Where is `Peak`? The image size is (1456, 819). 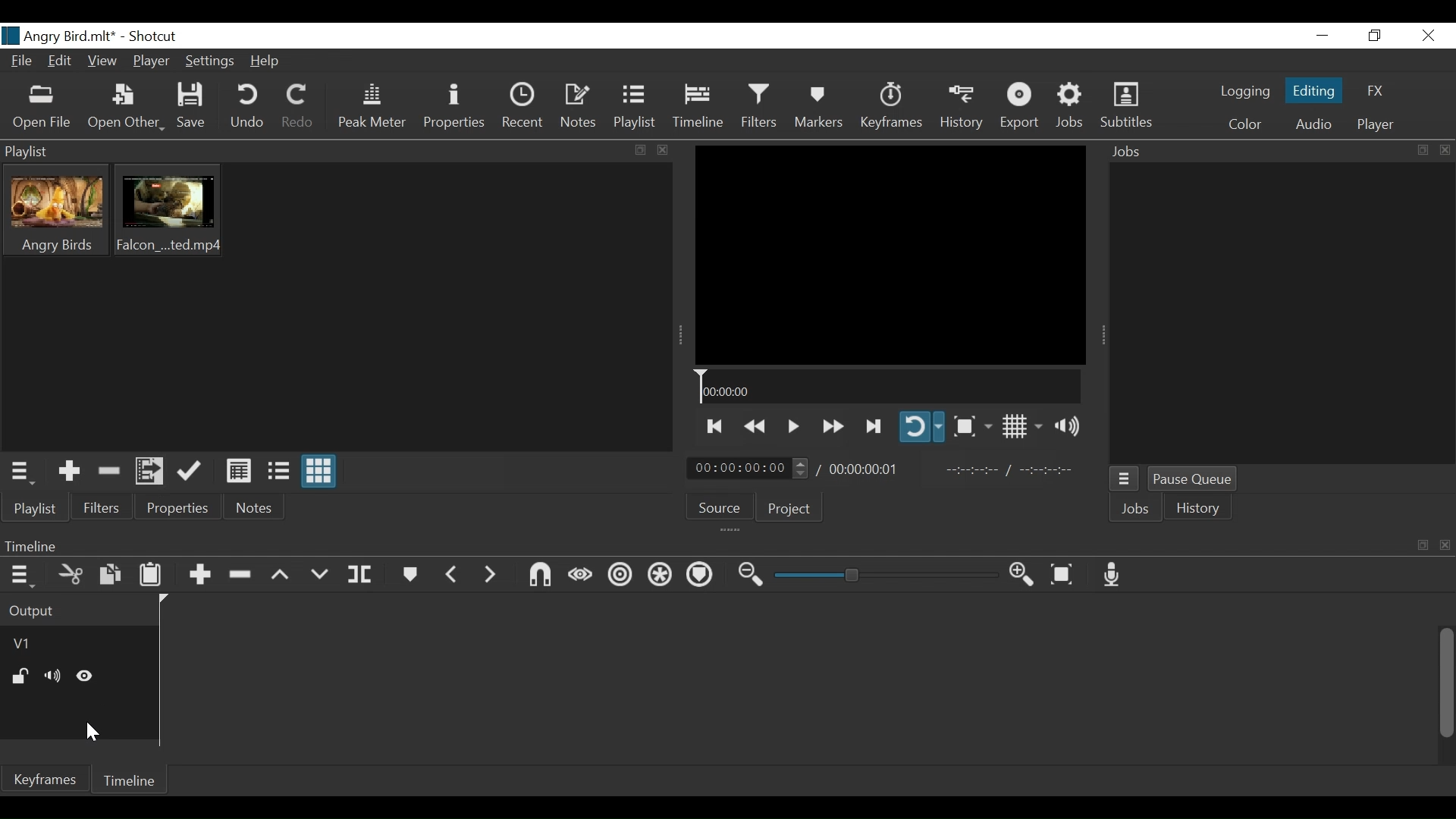 Peak is located at coordinates (373, 106).